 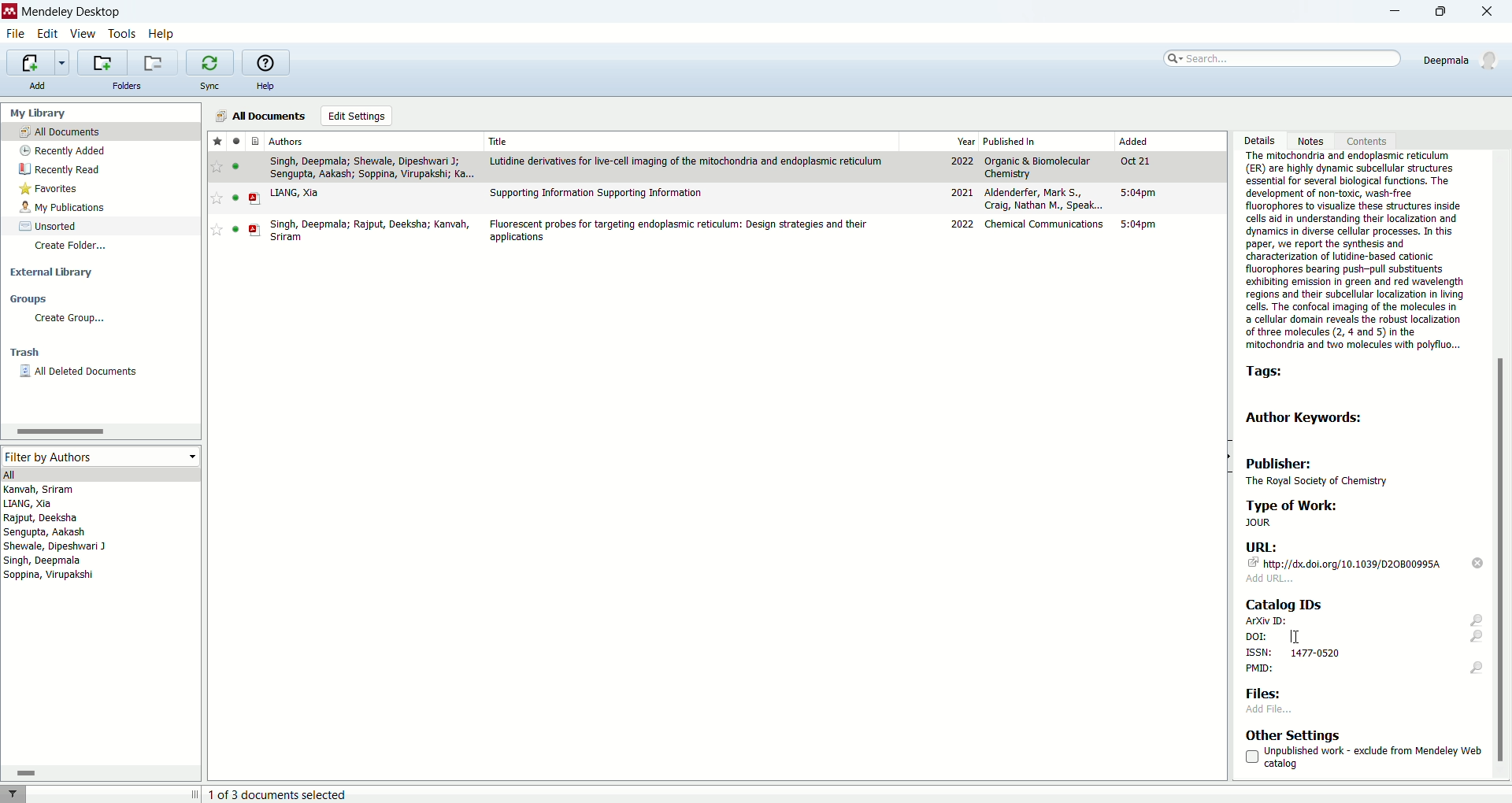 What do you see at coordinates (71, 318) in the screenshot?
I see `create group` at bounding box center [71, 318].